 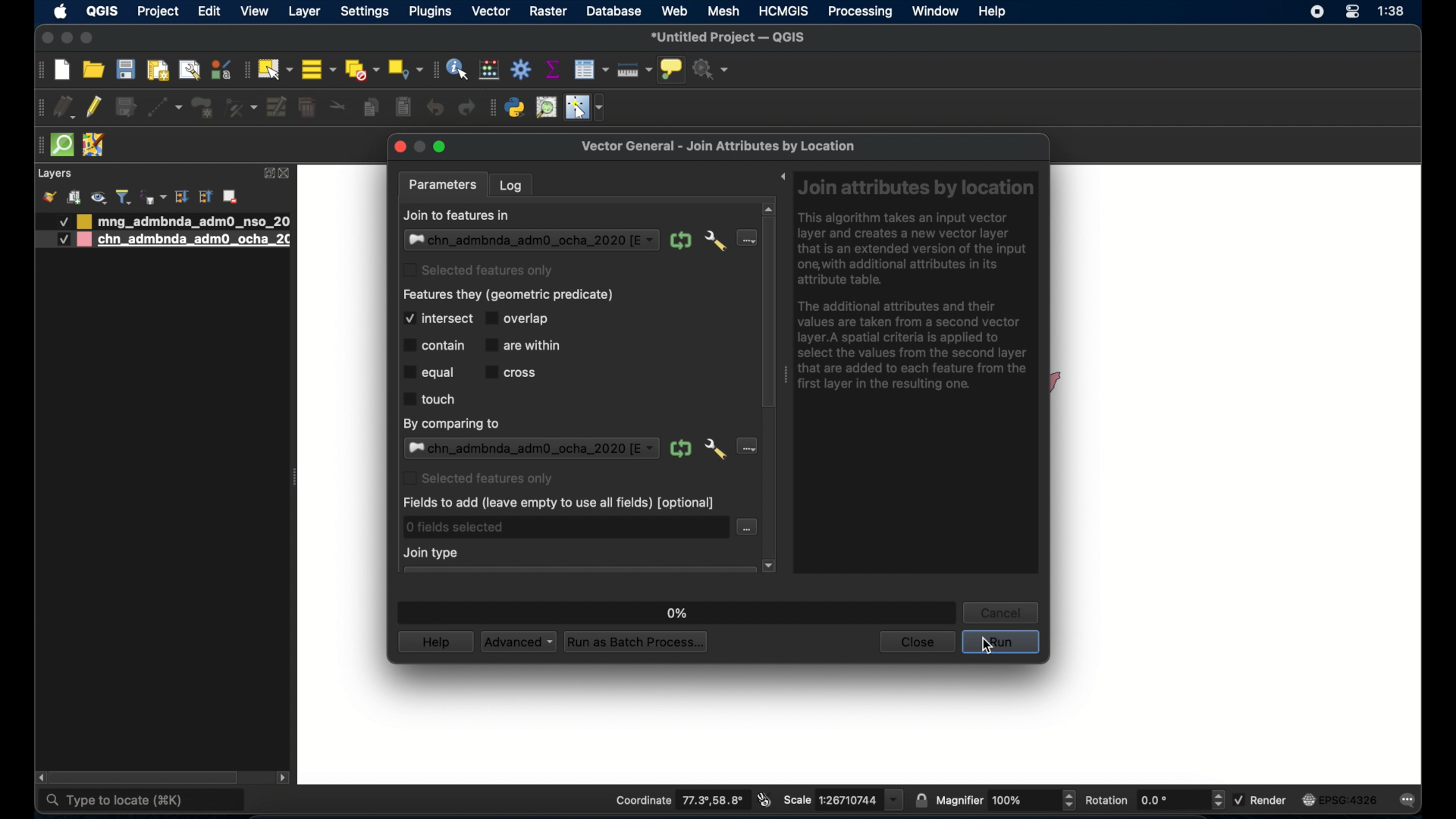 What do you see at coordinates (547, 108) in the screenshot?
I see `osm place search` at bounding box center [547, 108].